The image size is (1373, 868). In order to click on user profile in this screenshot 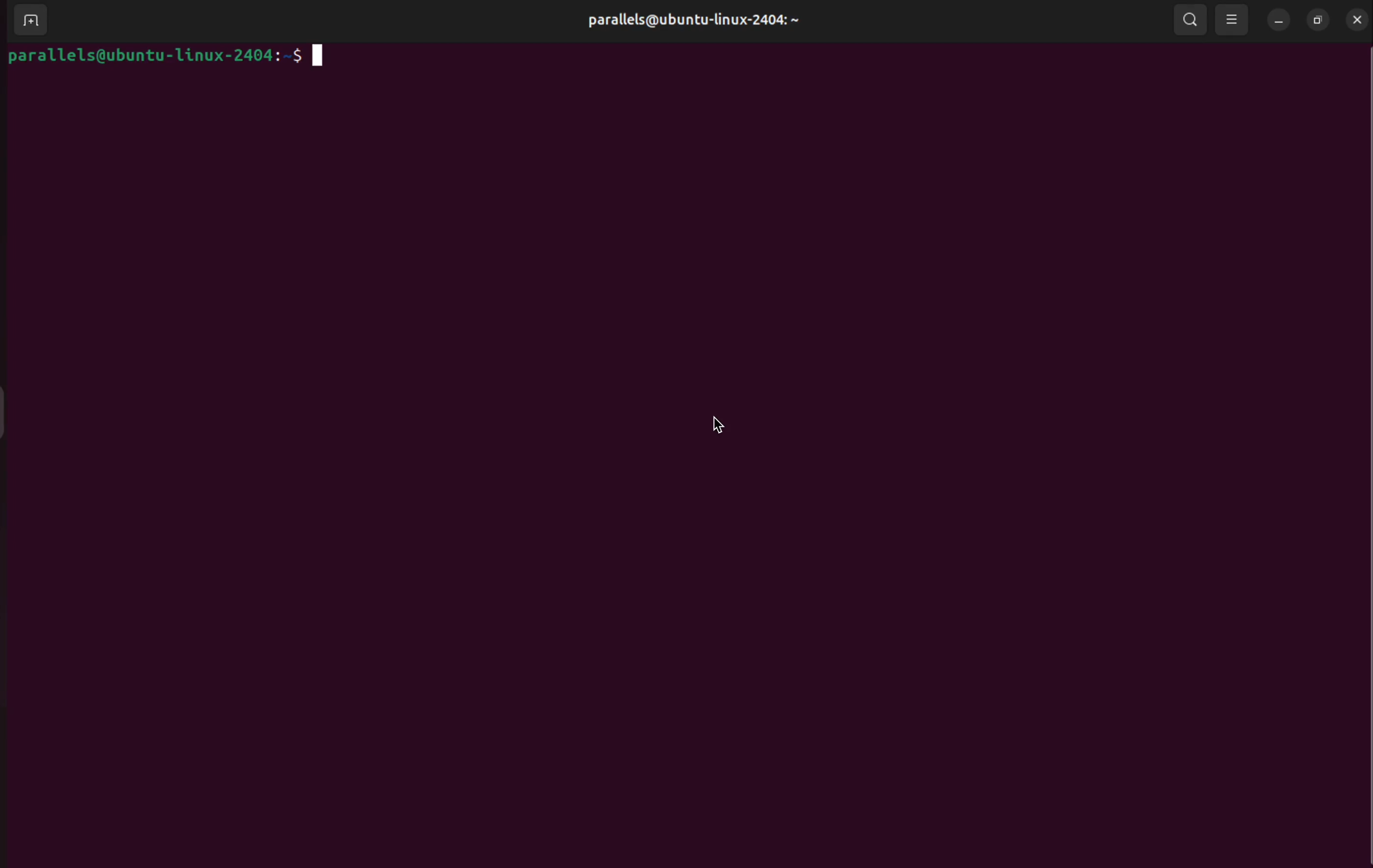, I will do `click(709, 22)`.